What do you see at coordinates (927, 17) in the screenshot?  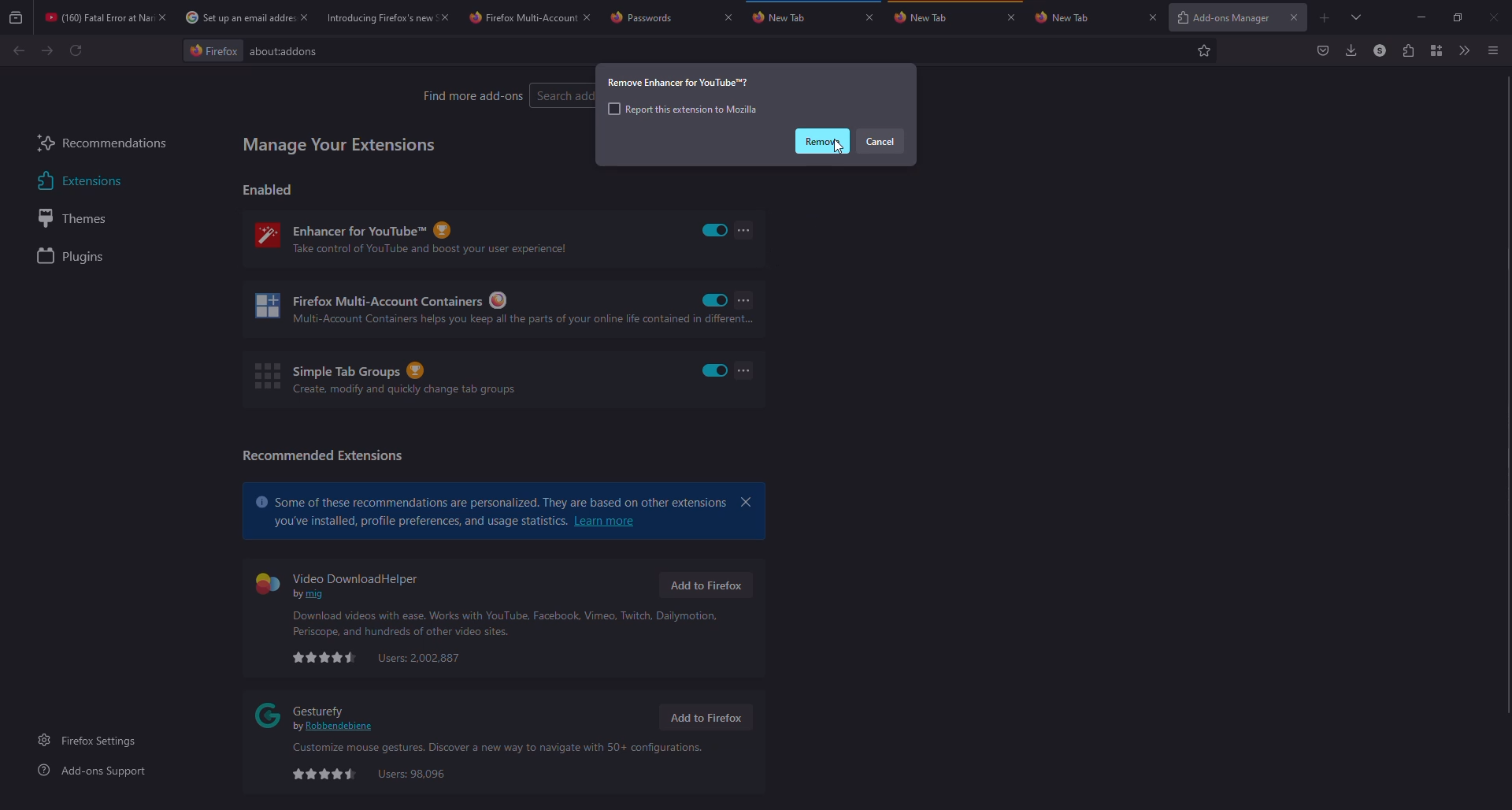 I see `tab` at bounding box center [927, 17].